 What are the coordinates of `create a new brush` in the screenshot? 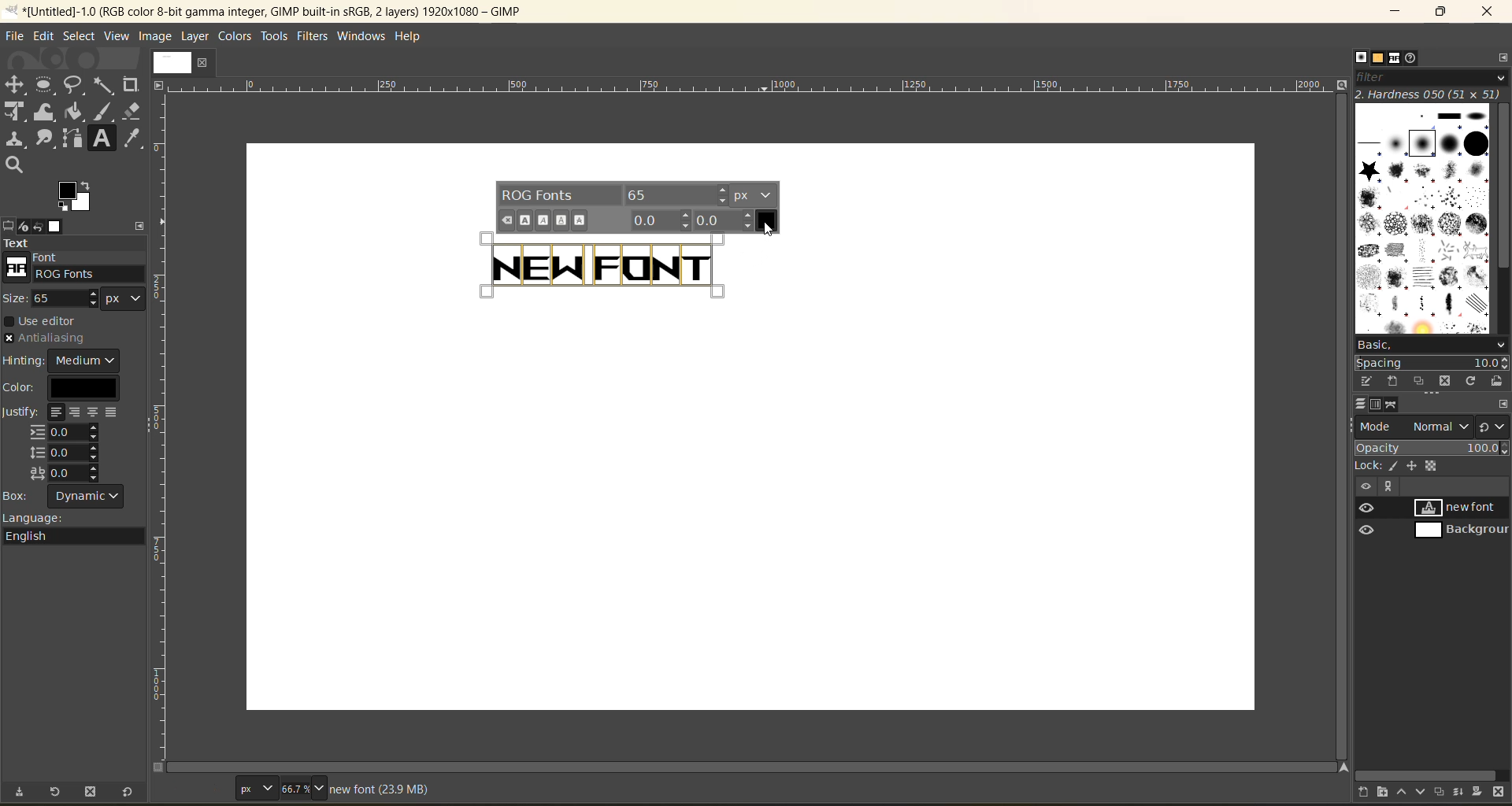 It's located at (1392, 382).